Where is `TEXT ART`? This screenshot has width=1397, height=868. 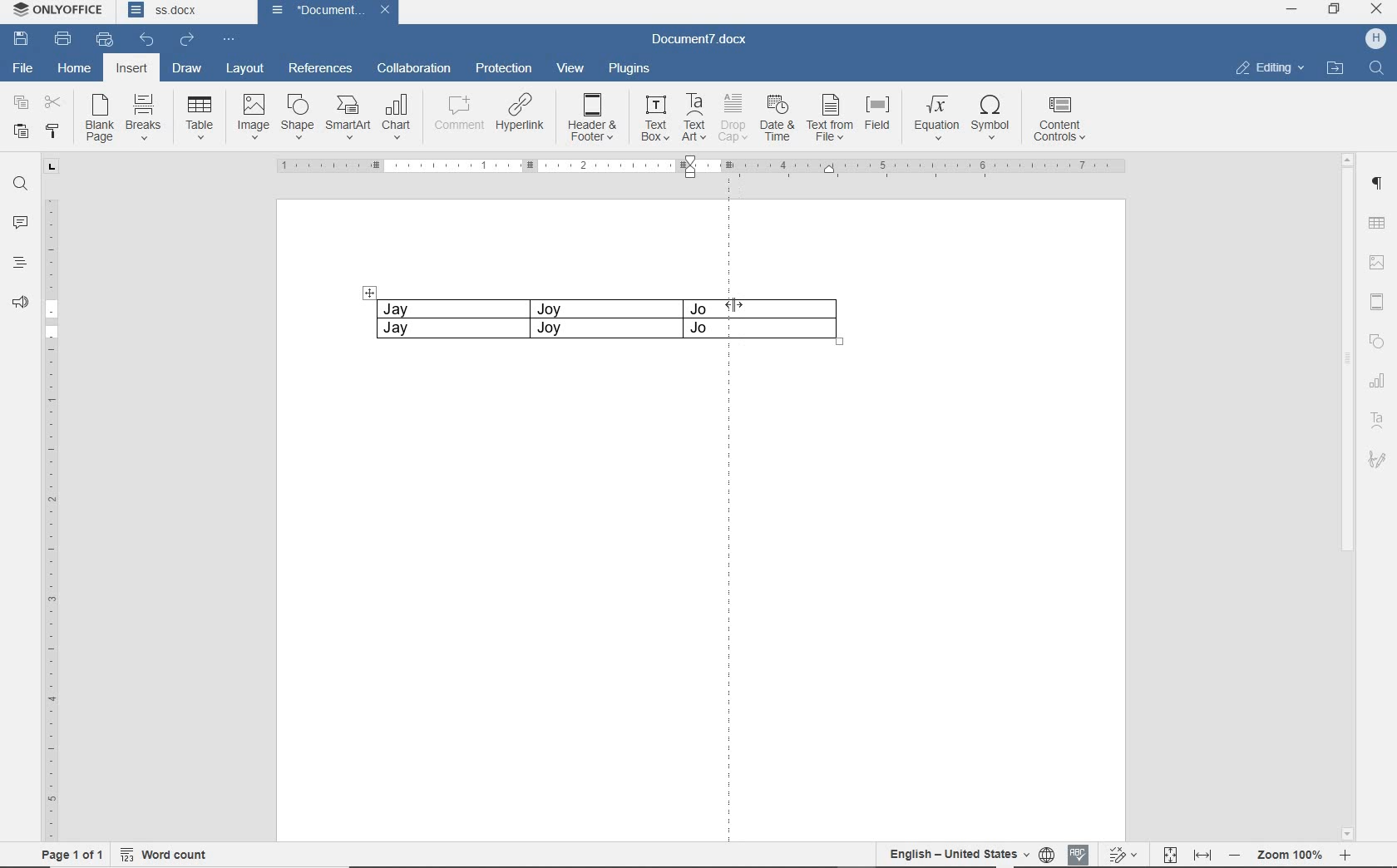 TEXT ART is located at coordinates (1377, 420).